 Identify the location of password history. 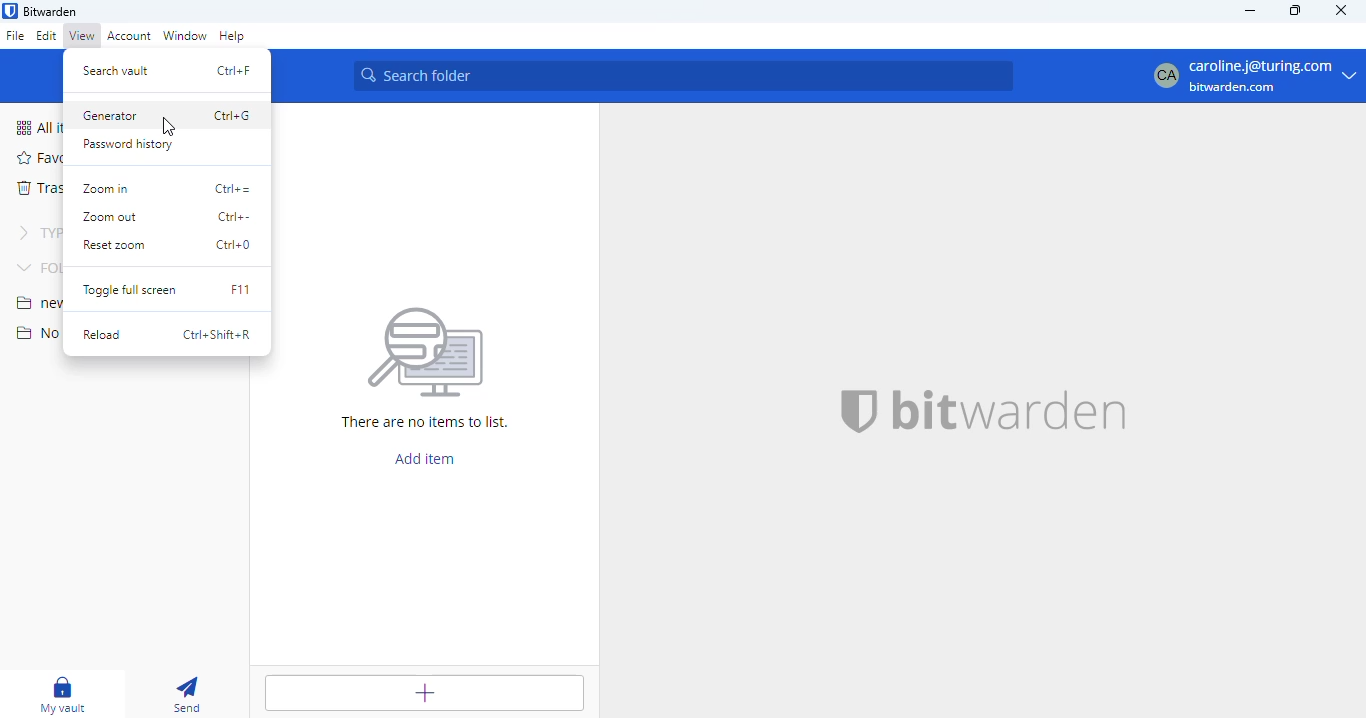
(126, 145).